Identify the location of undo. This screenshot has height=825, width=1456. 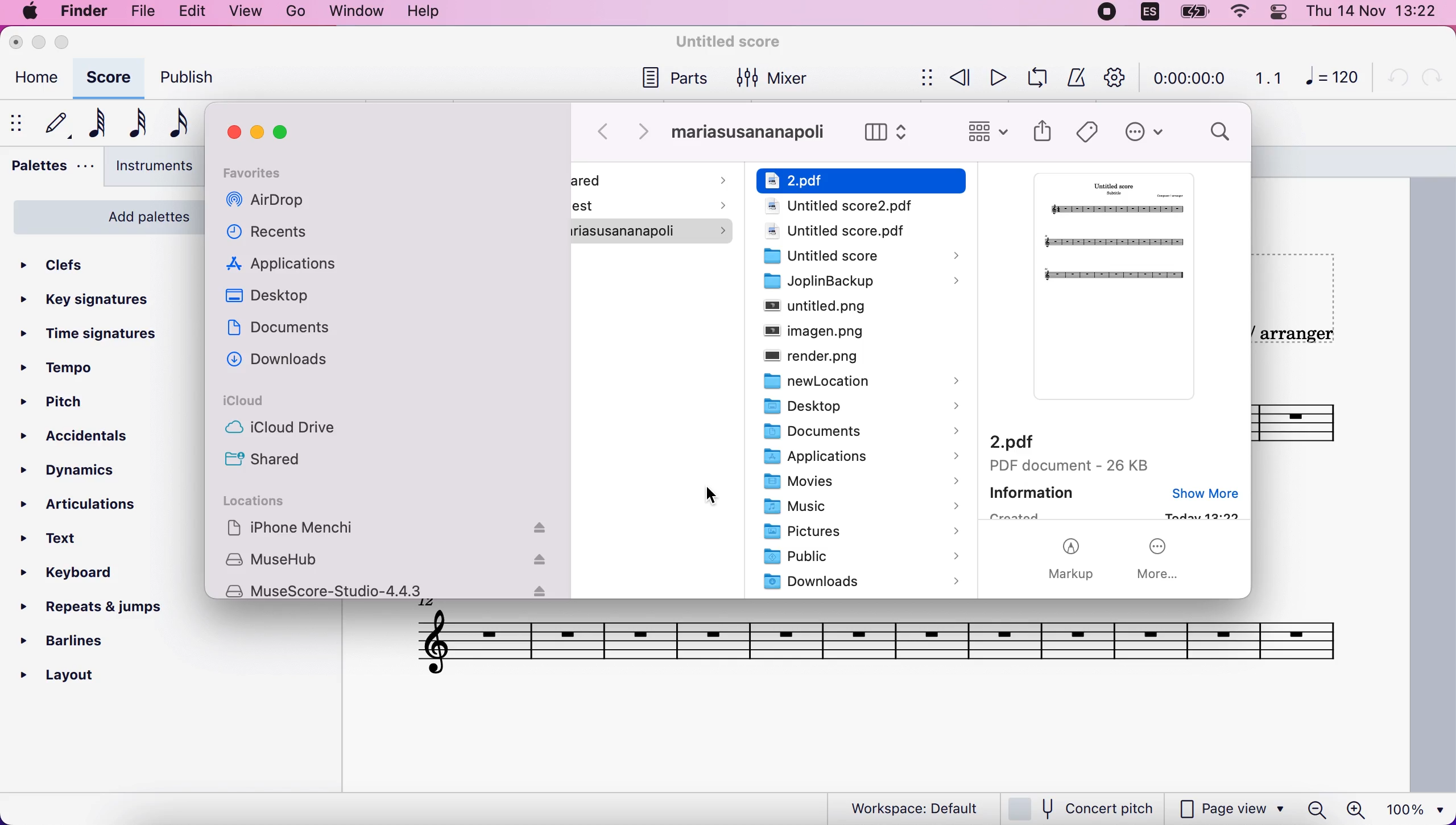
(1398, 80).